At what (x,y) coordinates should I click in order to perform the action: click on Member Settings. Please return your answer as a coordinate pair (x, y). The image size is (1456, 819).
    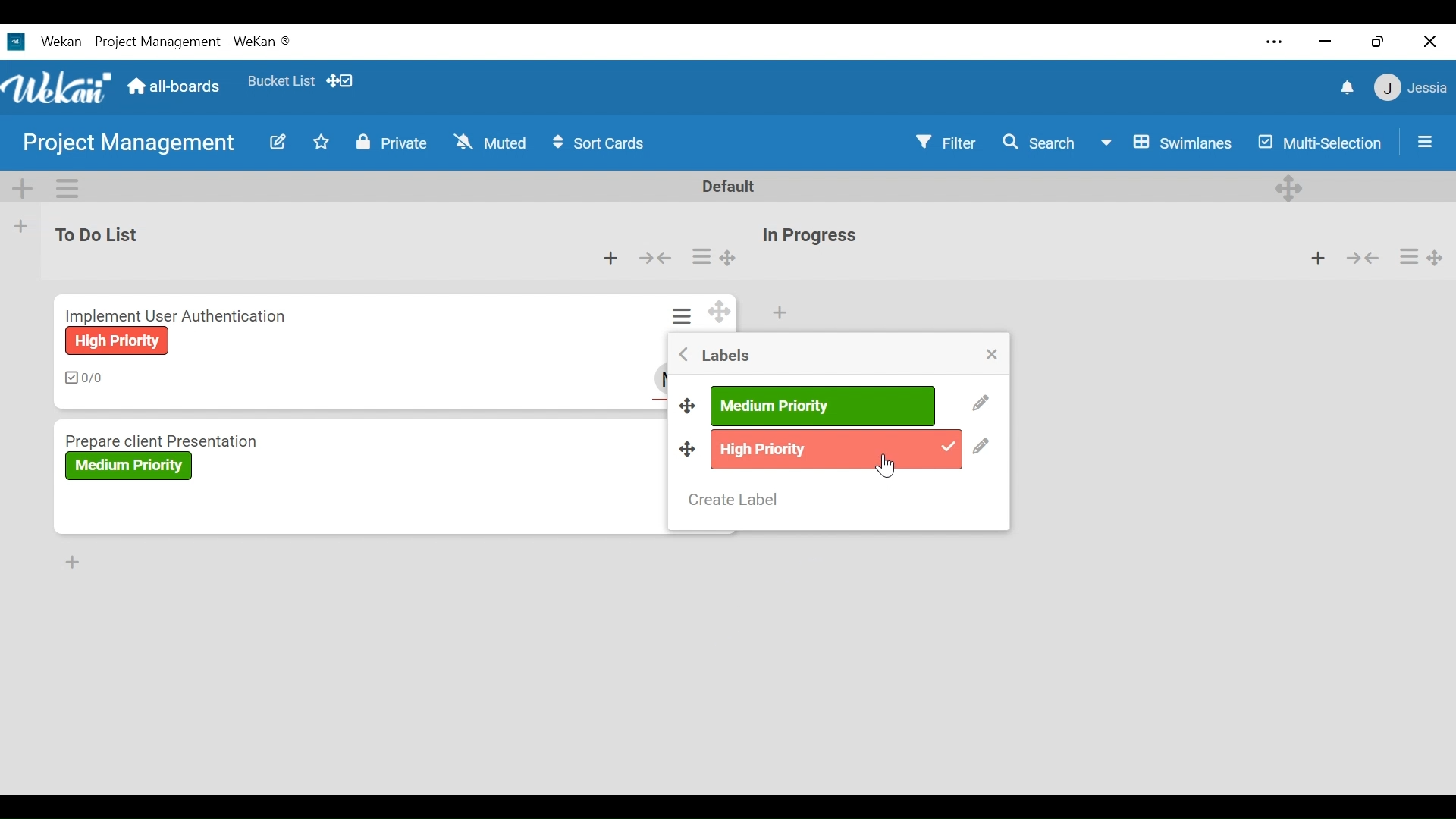
    Looking at the image, I should click on (1412, 89).